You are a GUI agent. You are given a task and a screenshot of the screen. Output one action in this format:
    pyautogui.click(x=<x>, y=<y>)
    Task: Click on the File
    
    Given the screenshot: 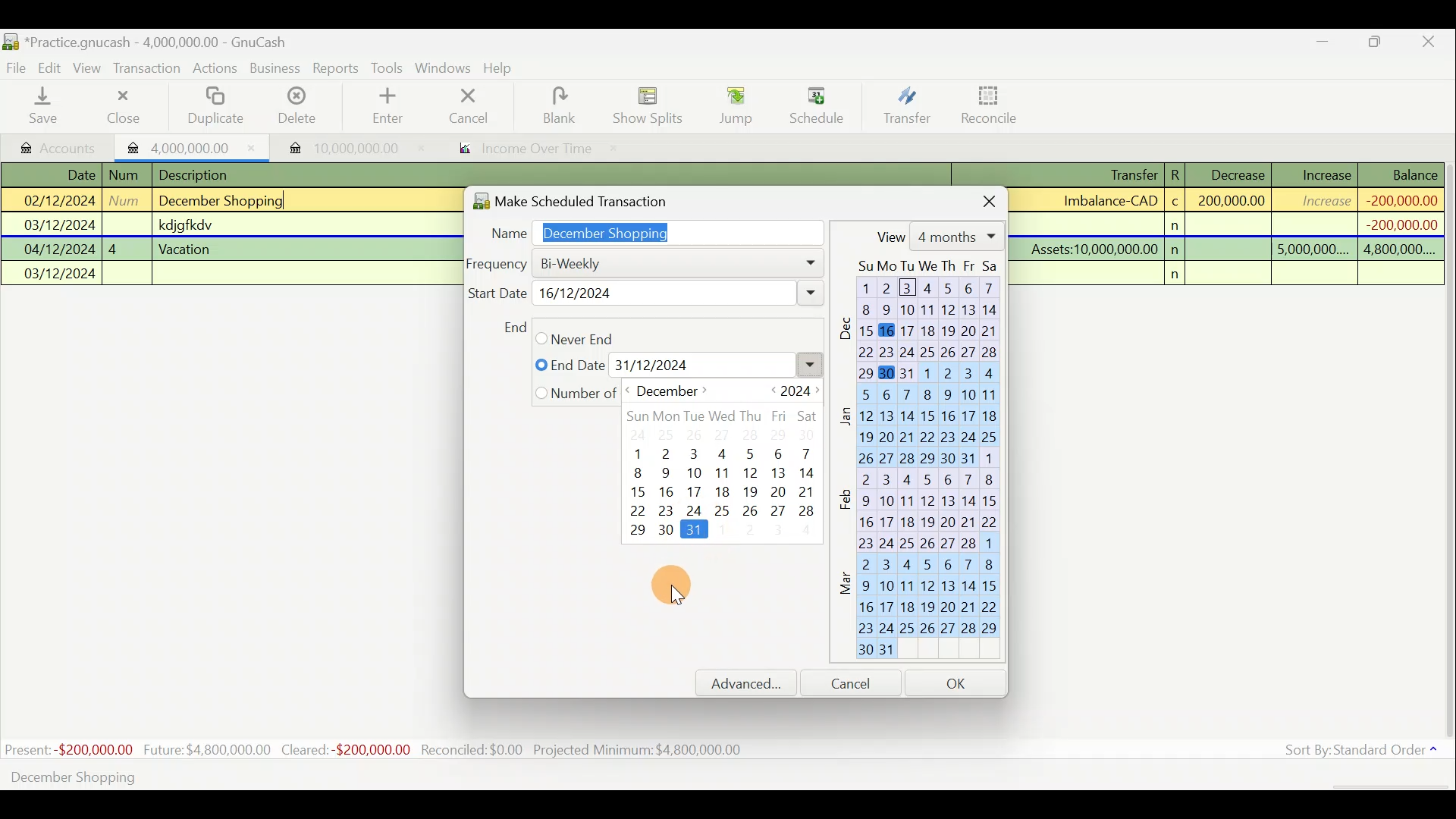 What is the action you would take?
    pyautogui.click(x=17, y=68)
    